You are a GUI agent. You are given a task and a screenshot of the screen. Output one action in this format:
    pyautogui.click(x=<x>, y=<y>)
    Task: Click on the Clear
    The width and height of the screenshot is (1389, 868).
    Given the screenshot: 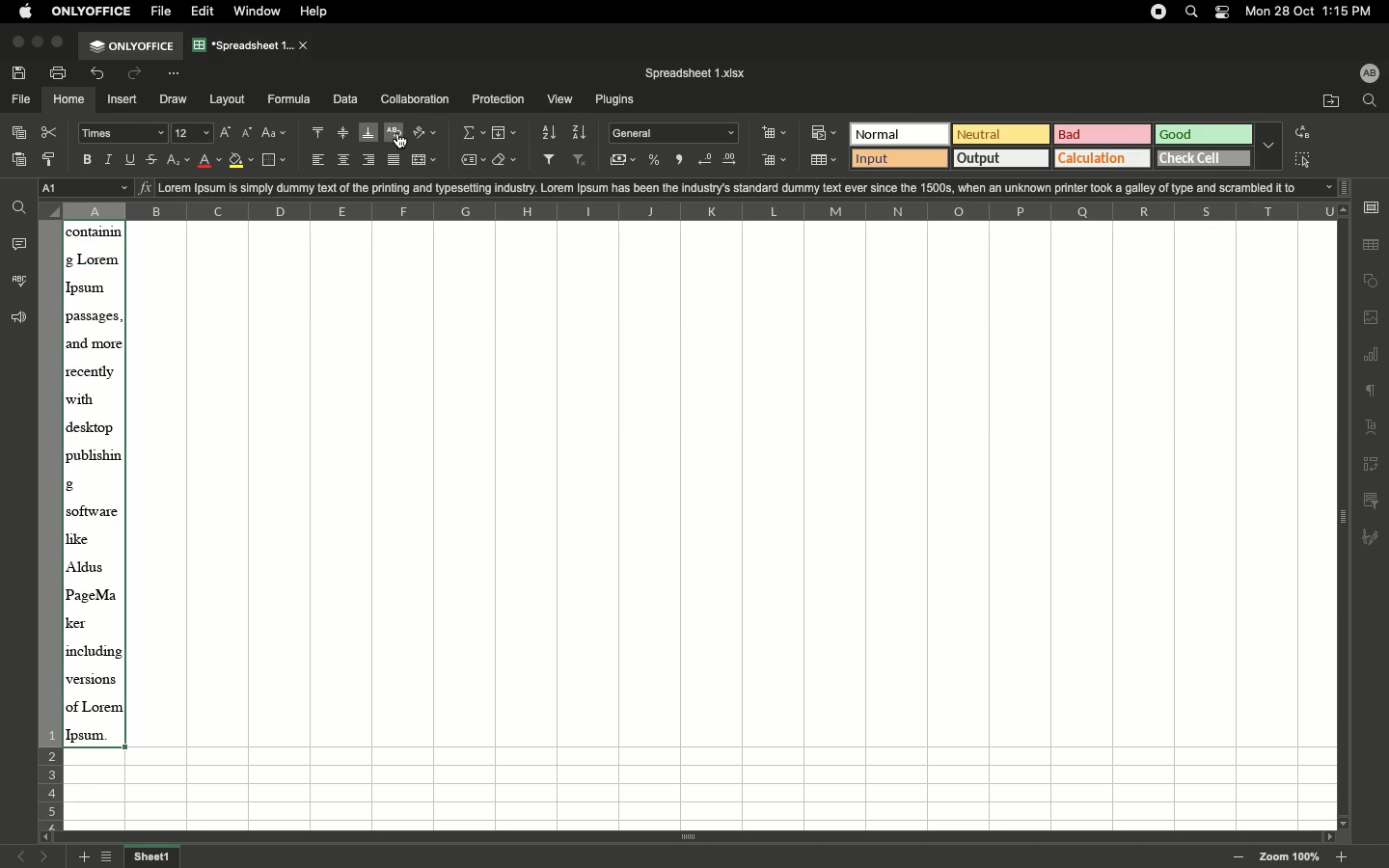 What is the action you would take?
    pyautogui.click(x=505, y=161)
    